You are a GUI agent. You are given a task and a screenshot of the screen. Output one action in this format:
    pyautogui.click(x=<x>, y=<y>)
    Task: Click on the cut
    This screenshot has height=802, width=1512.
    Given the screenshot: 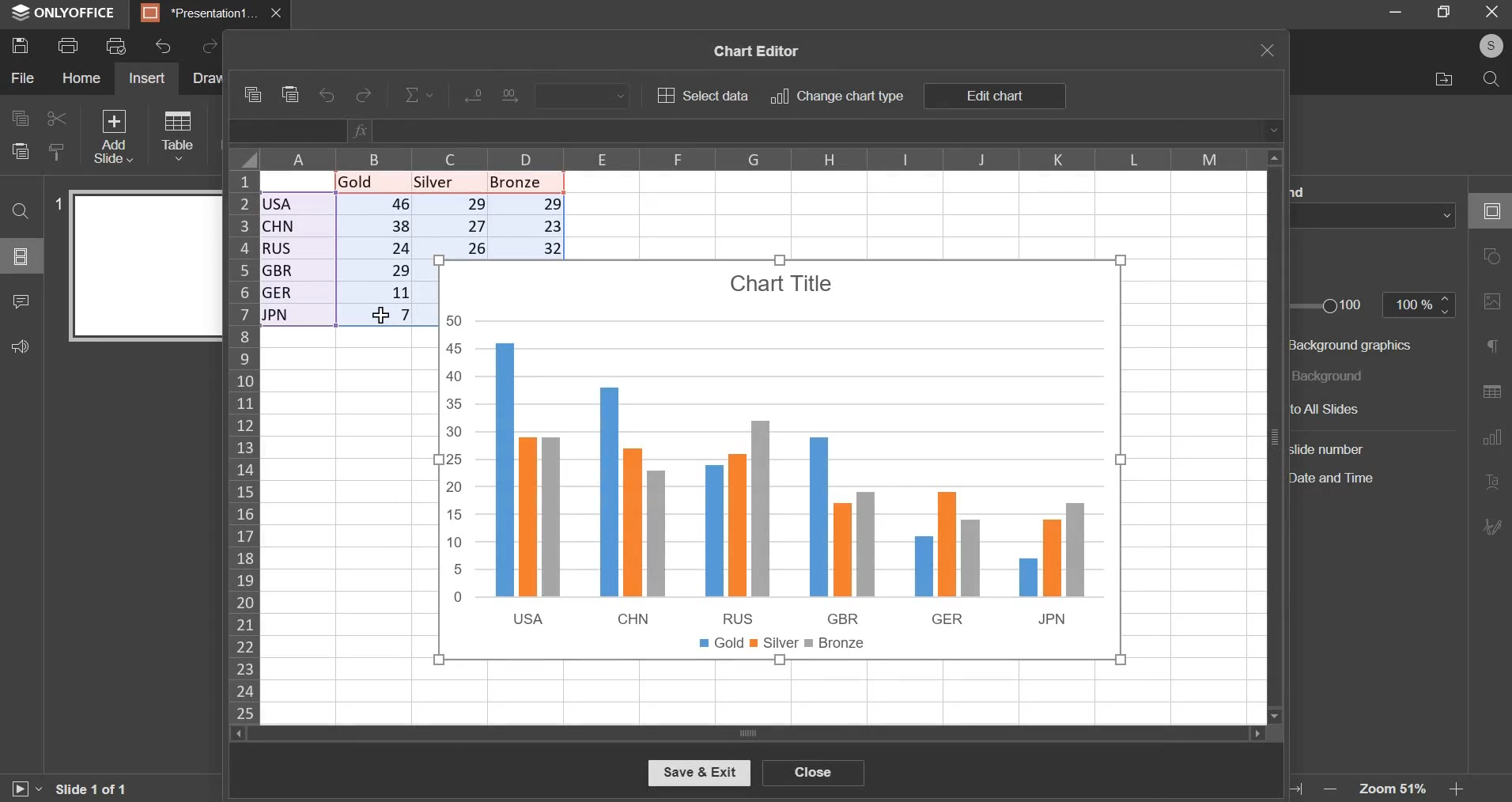 What is the action you would take?
    pyautogui.click(x=54, y=119)
    